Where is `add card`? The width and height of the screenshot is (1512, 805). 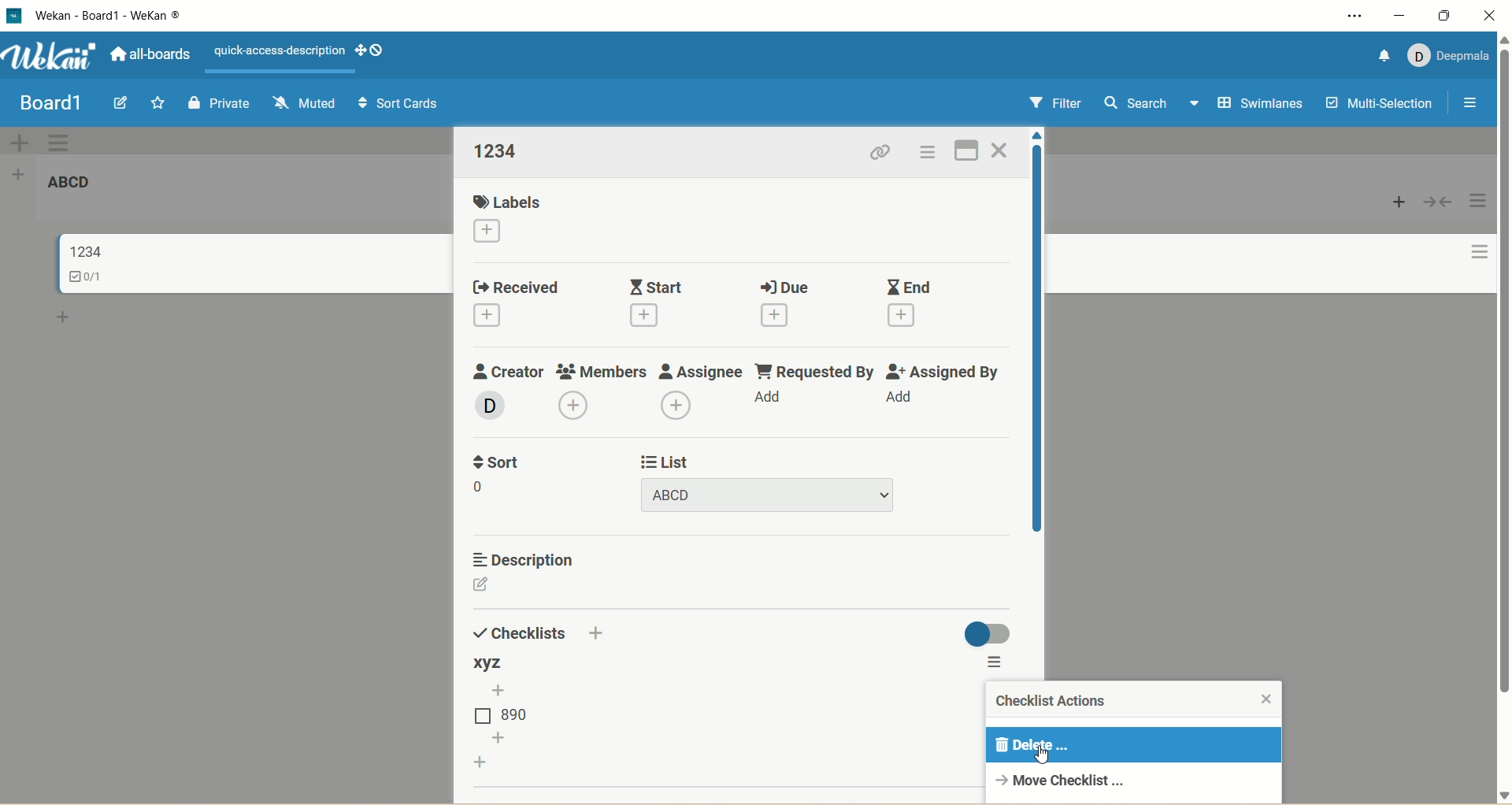
add card is located at coordinates (63, 315).